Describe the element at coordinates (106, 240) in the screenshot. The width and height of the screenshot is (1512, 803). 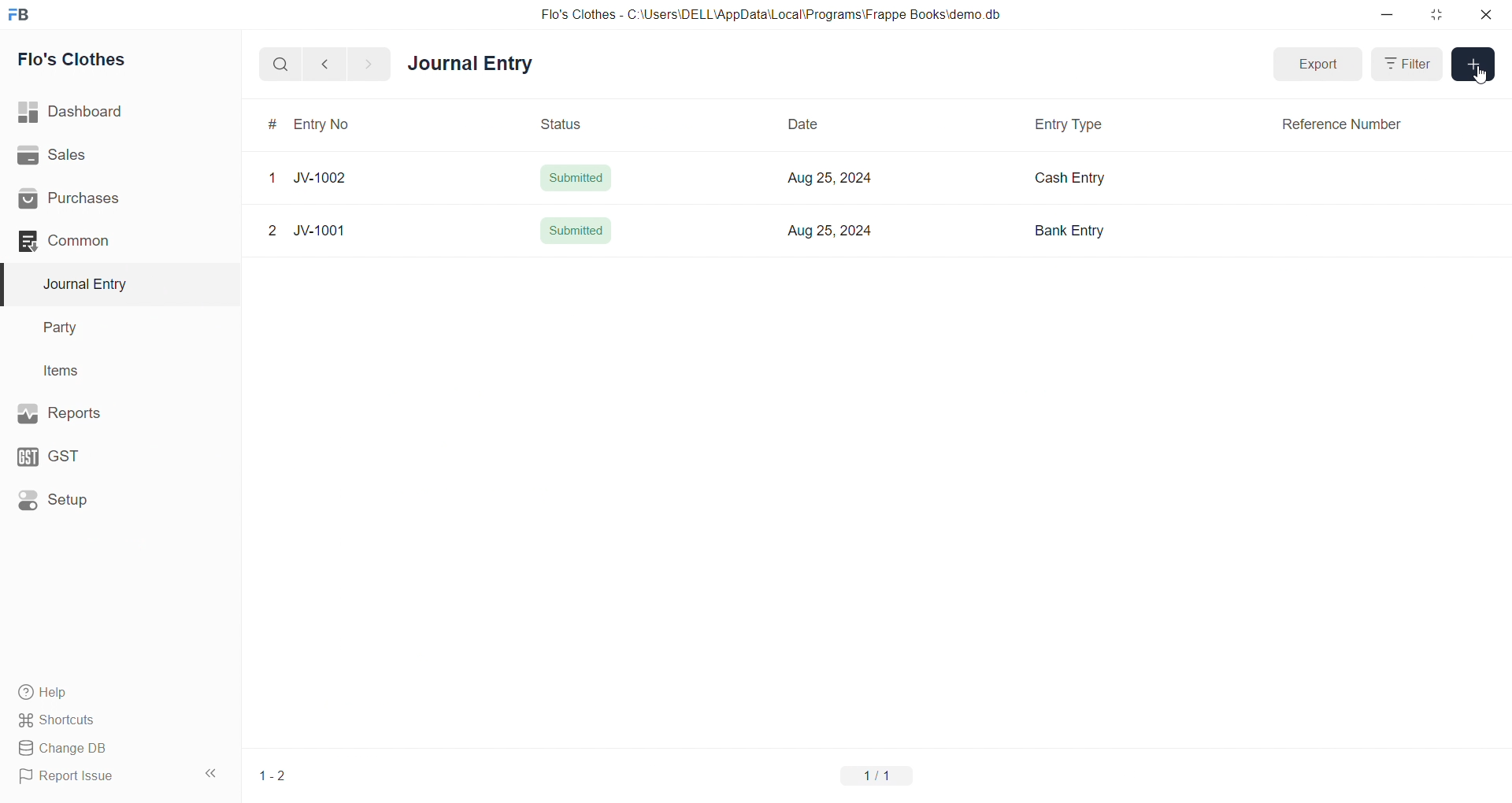
I see `Common` at that location.